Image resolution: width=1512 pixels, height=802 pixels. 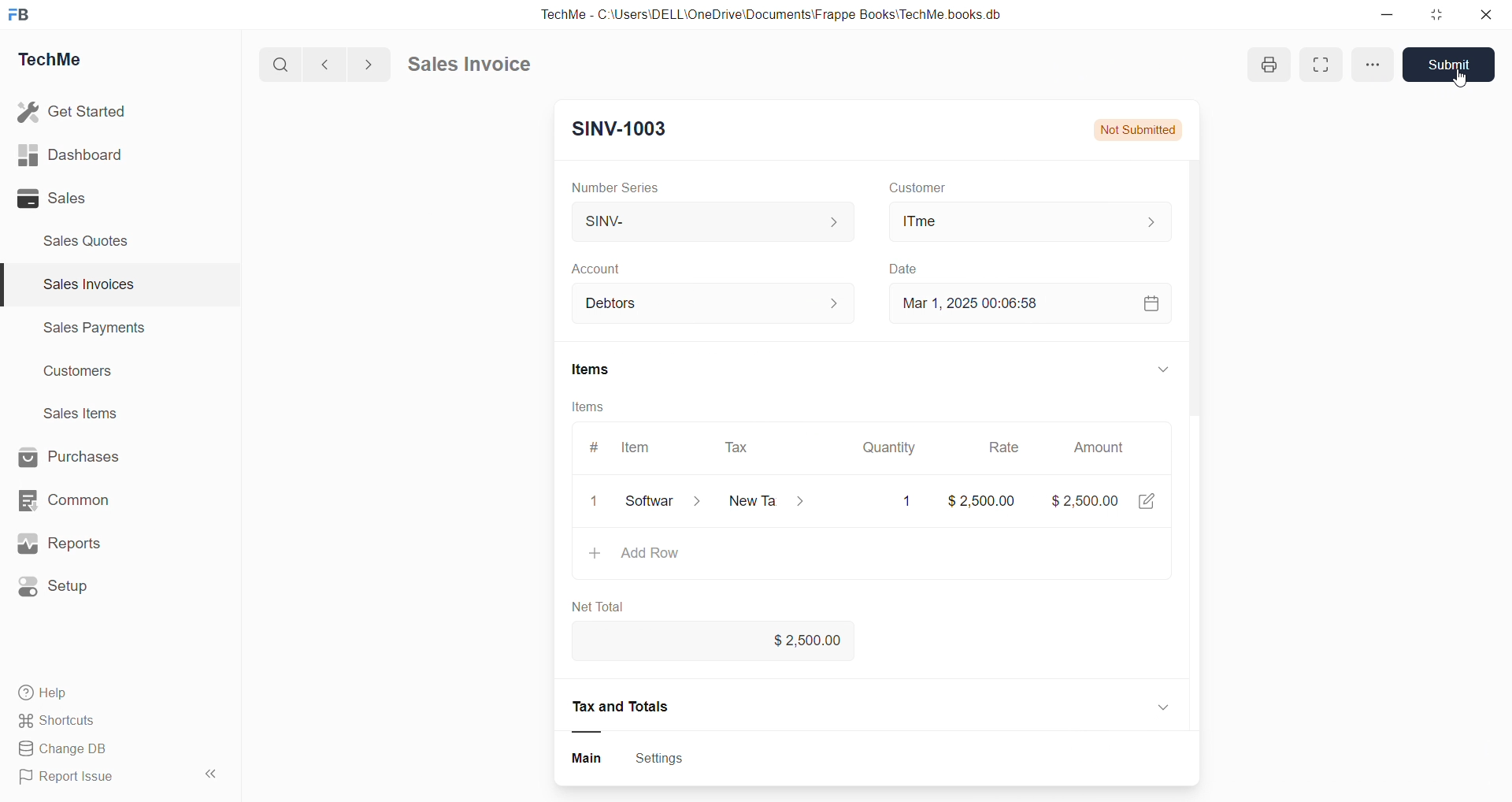 What do you see at coordinates (1033, 303) in the screenshot?
I see `Mar 1, 2025 00:06:58 =)` at bounding box center [1033, 303].